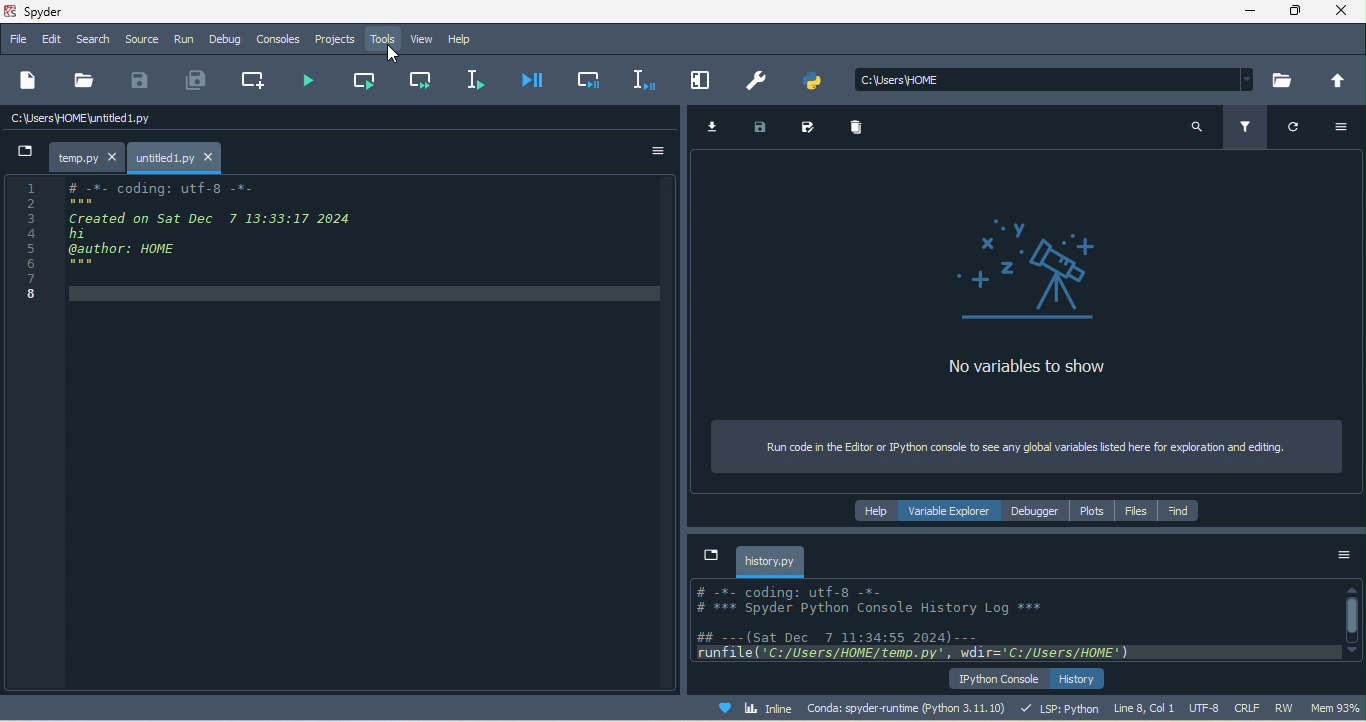 The width and height of the screenshot is (1366, 722). Describe the element at coordinates (1338, 129) in the screenshot. I see `option` at that location.